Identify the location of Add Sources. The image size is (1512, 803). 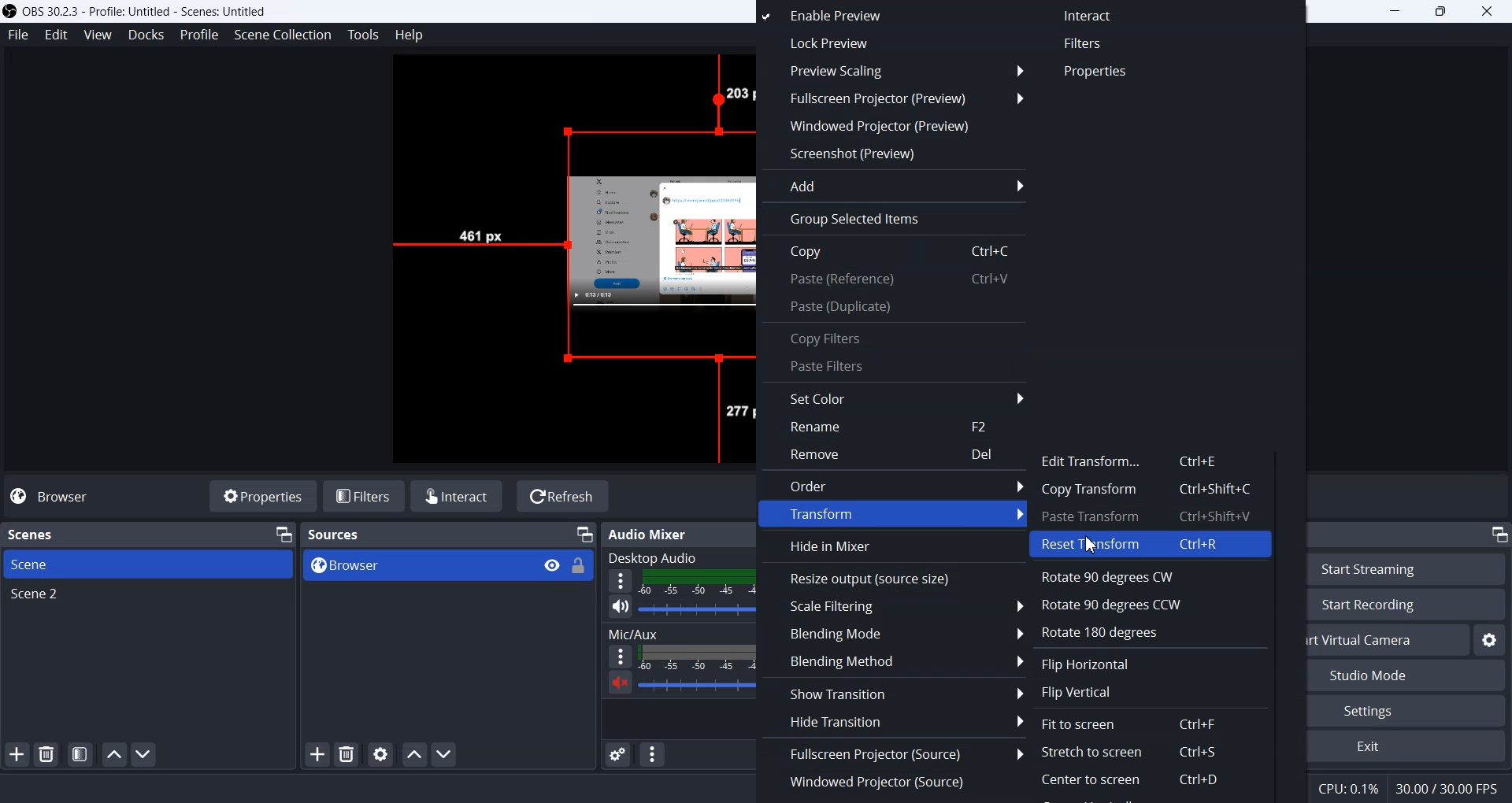
(316, 754).